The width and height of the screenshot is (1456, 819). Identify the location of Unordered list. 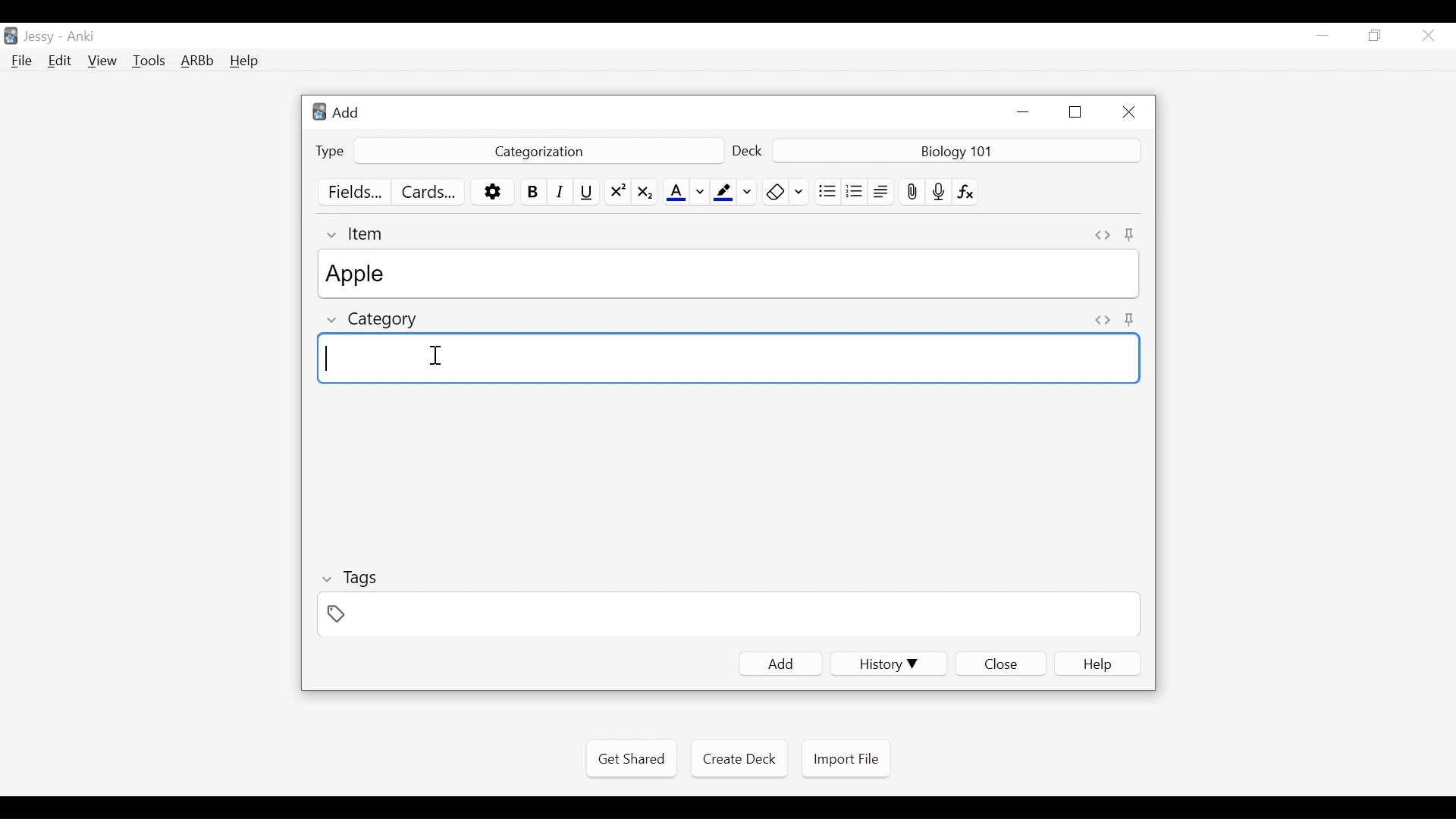
(827, 191).